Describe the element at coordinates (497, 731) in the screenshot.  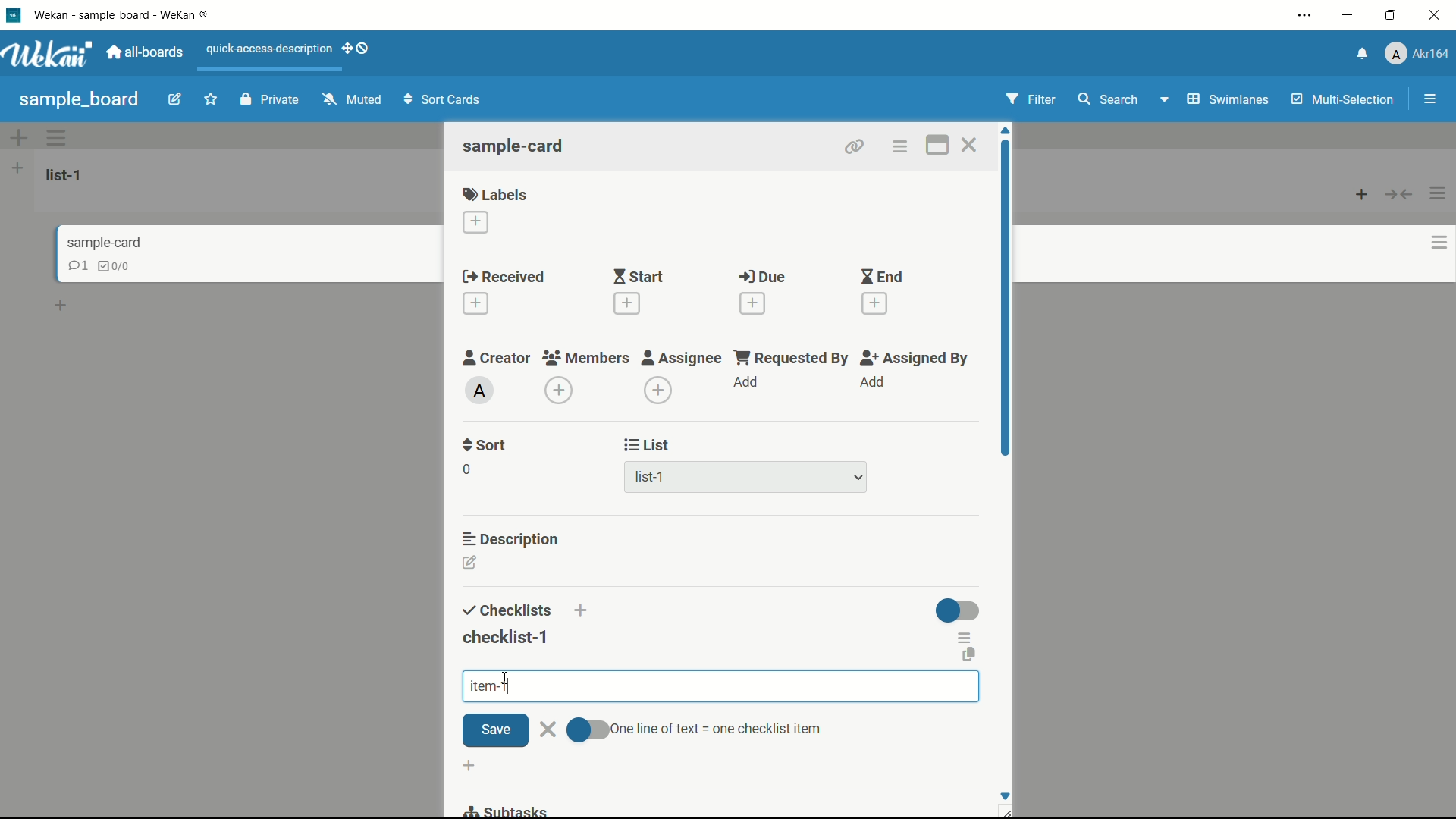
I see `save` at that location.